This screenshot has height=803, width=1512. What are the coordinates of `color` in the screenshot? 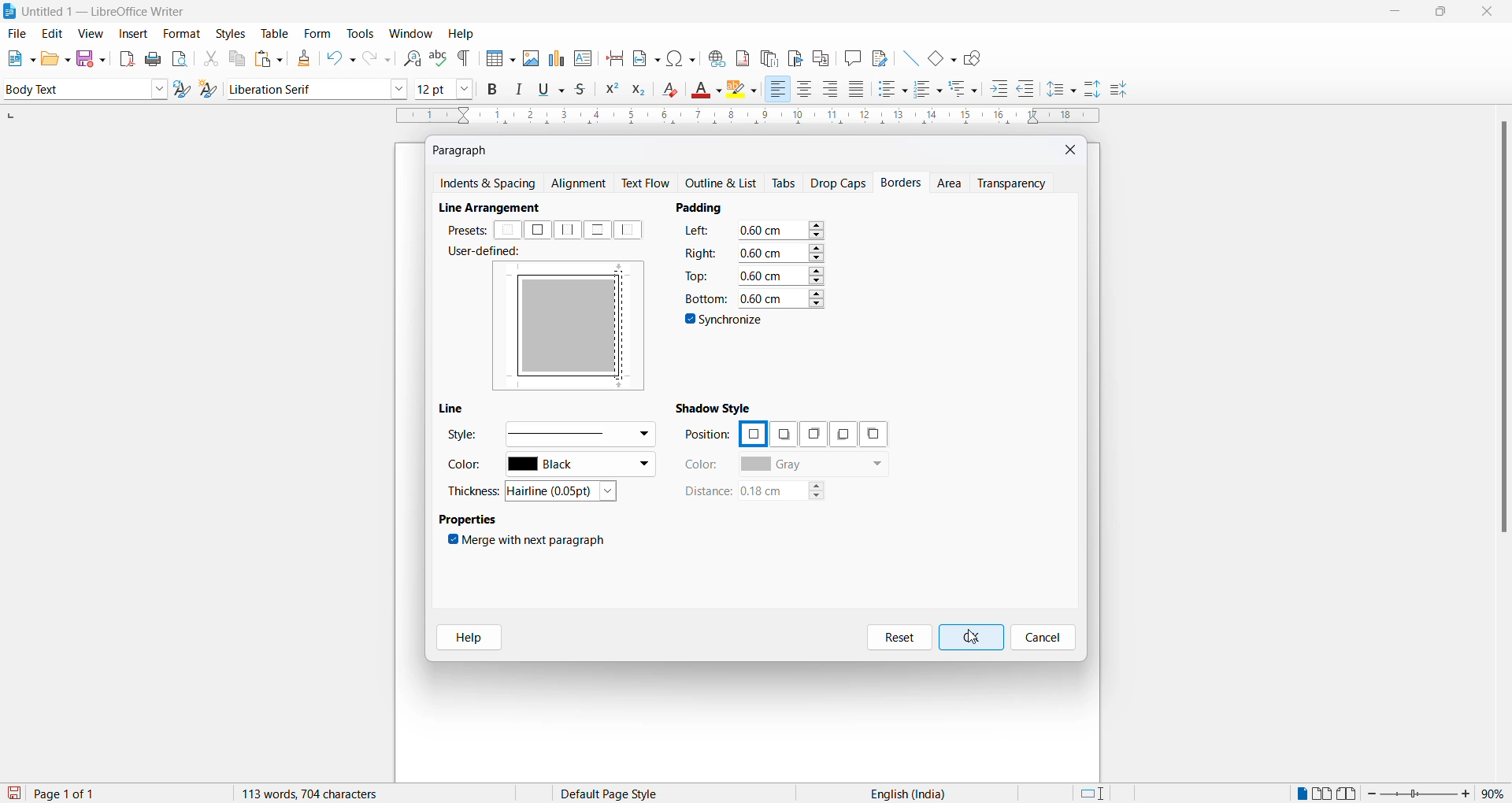 It's located at (702, 464).